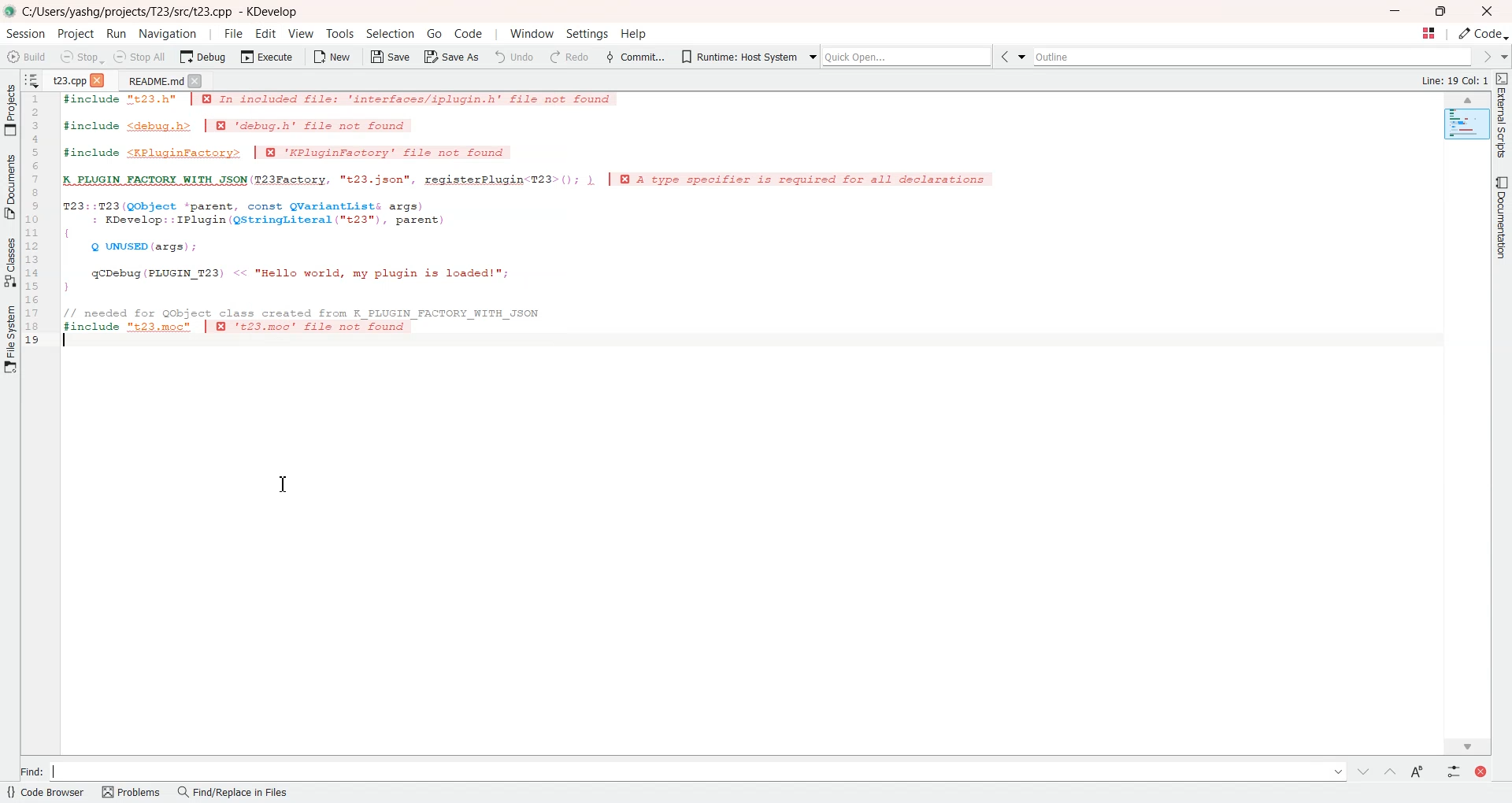 The image size is (1512, 803). What do you see at coordinates (1007, 57) in the screenshot?
I see `Go back` at bounding box center [1007, 57].